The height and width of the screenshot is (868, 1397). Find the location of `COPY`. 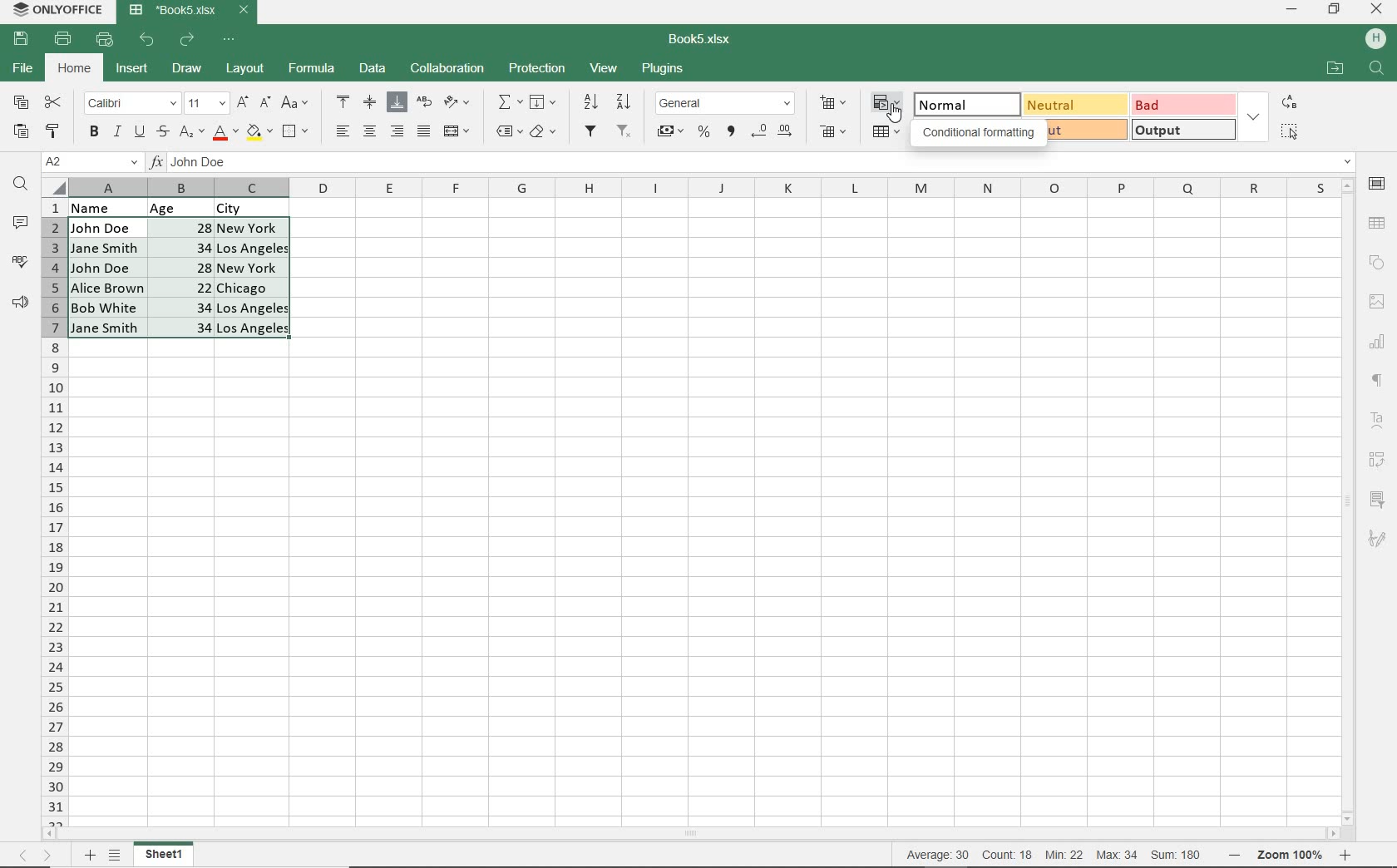

COPY is located at coordinates (22, 103).